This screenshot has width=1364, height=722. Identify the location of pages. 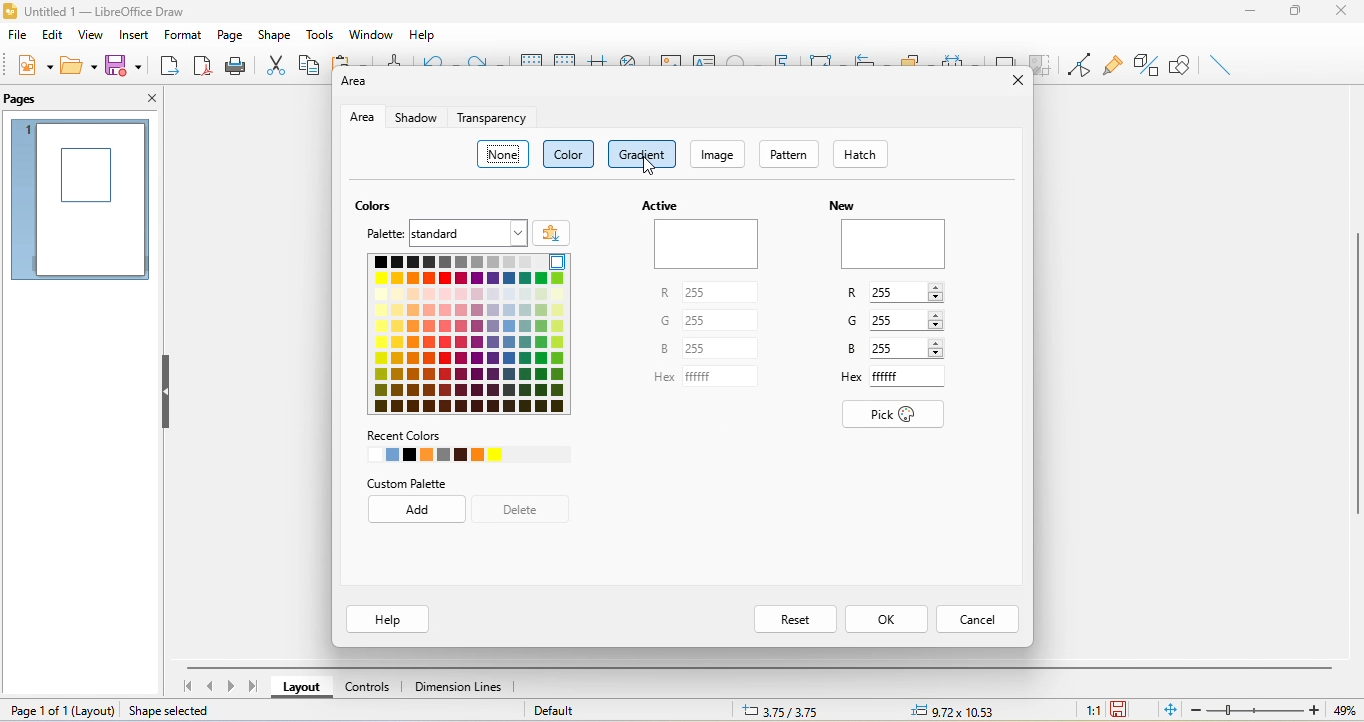
(25, 101).